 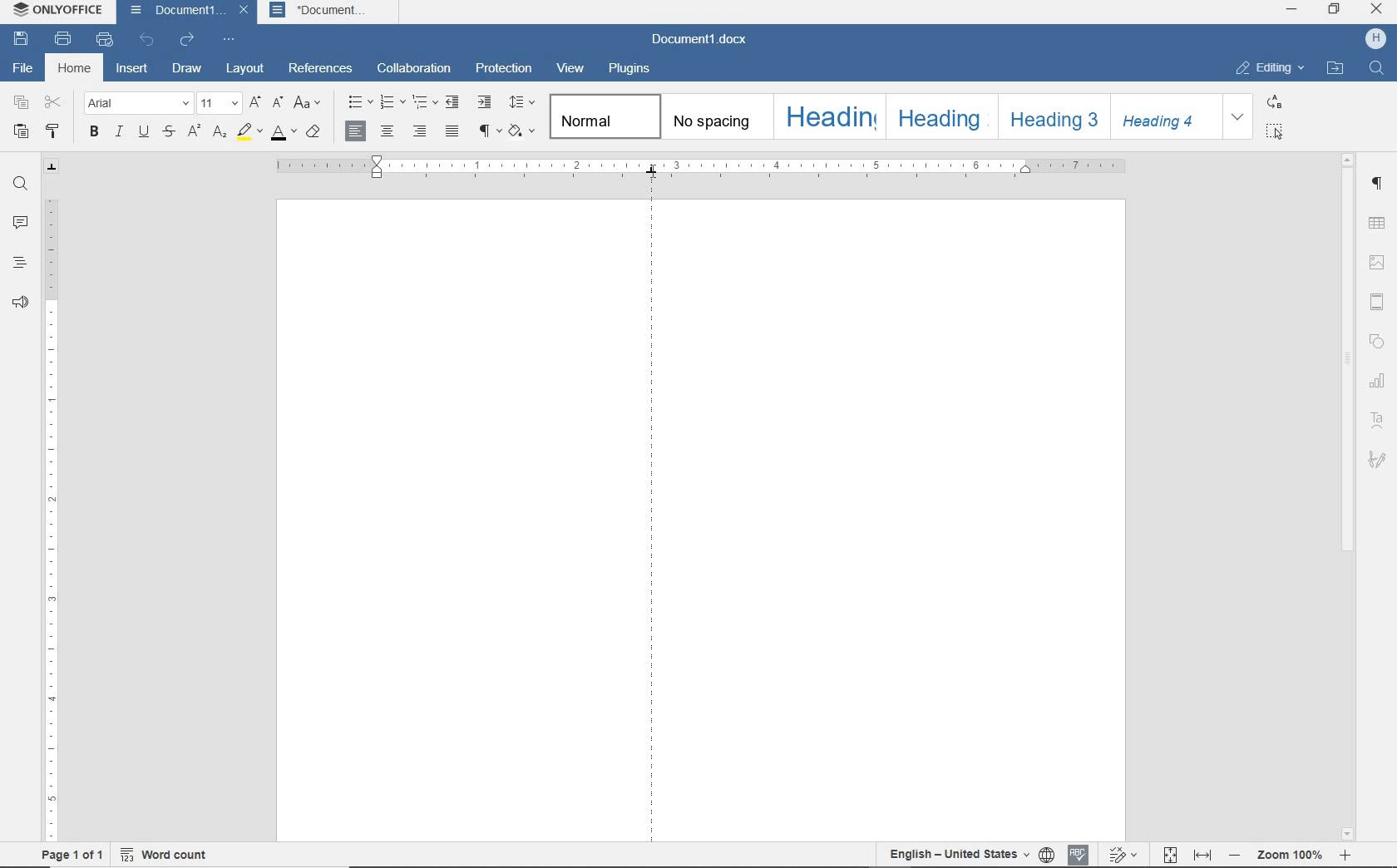 What do you see at coordinates (167, 133) in the screenshot?
I see `STRIKETHROUGH` at bounding box center [167, 133].